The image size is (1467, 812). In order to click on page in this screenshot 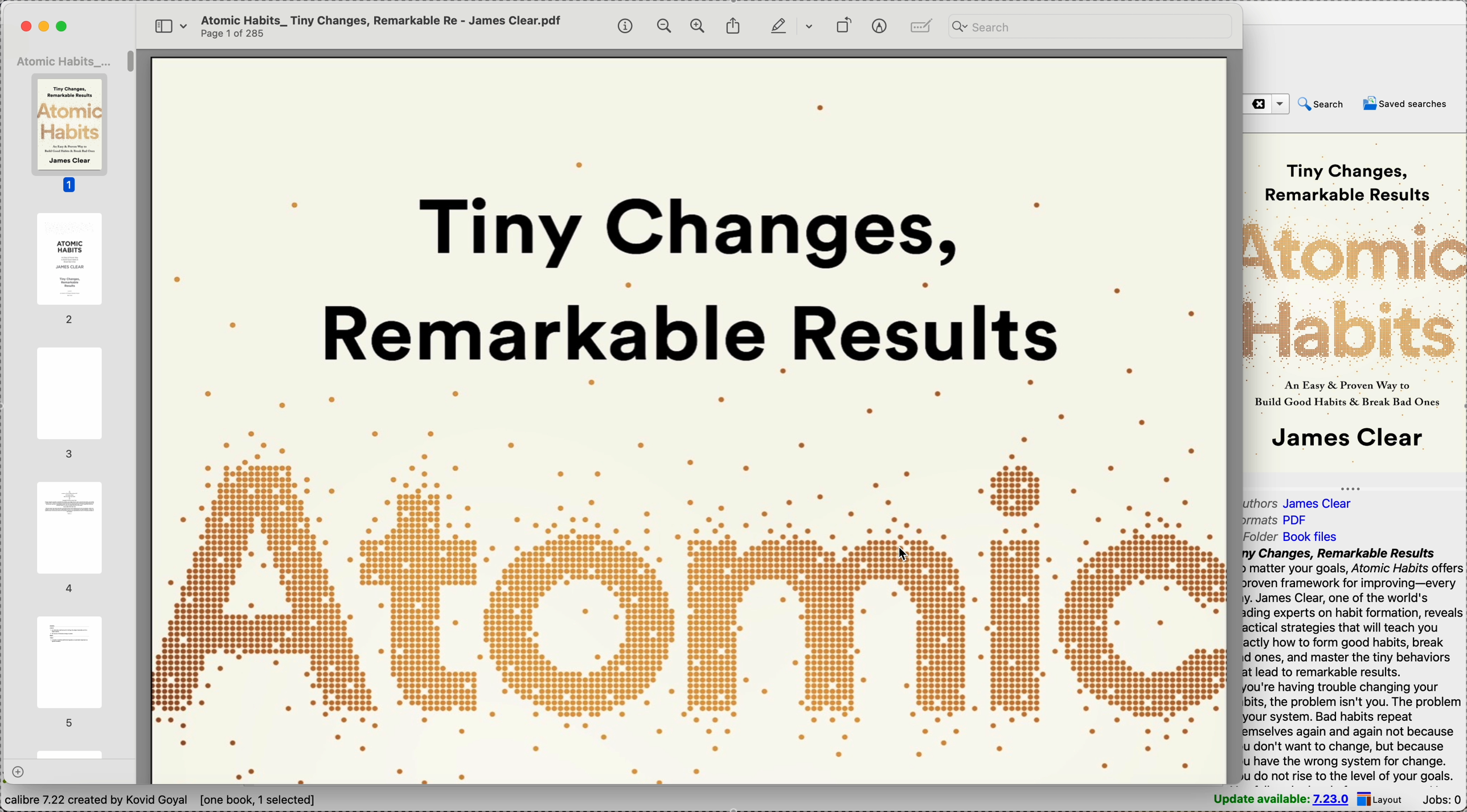, I will do `click(71, 751)`.